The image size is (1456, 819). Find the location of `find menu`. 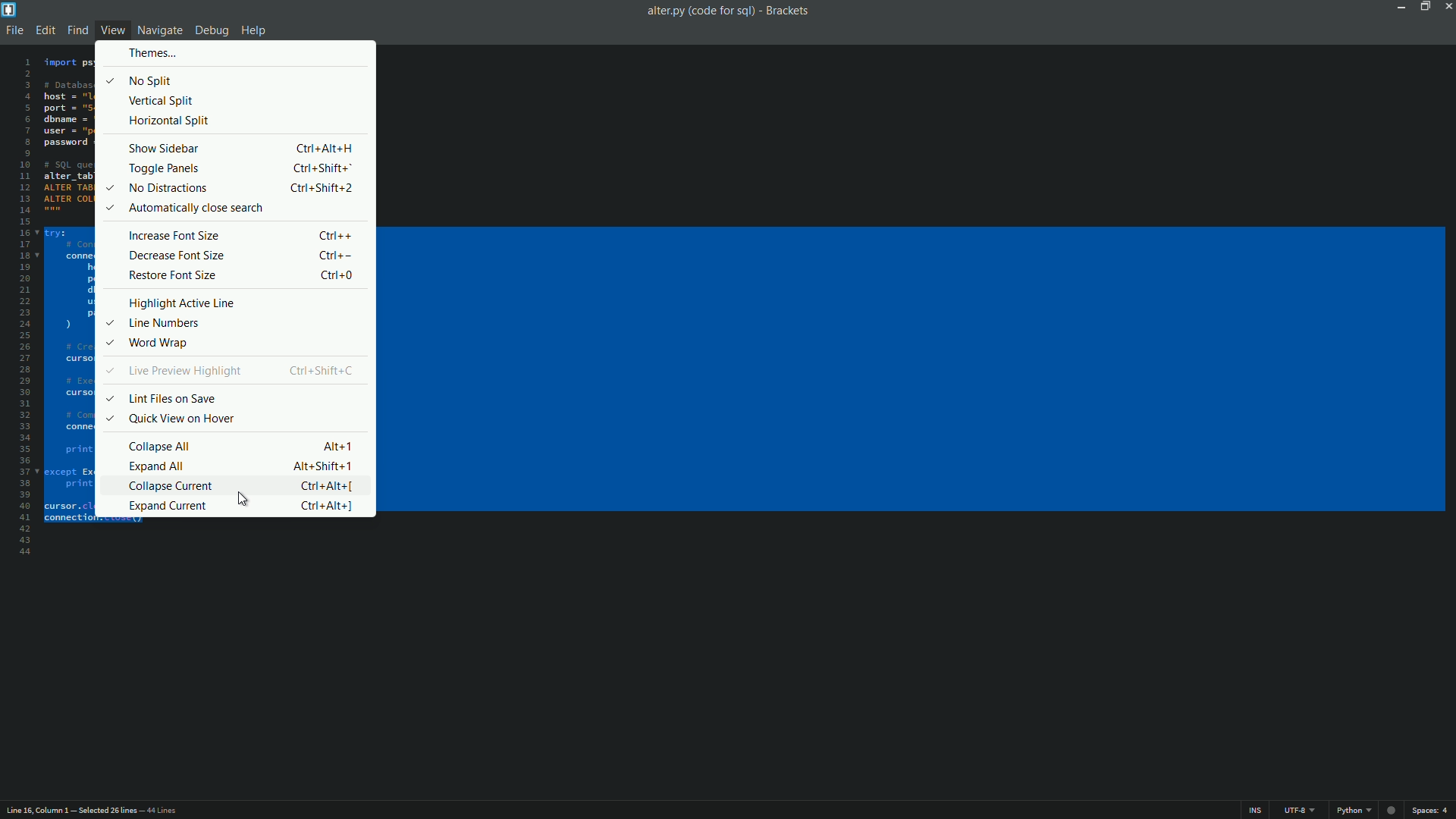

find menu is located at coordinates (77, 30).